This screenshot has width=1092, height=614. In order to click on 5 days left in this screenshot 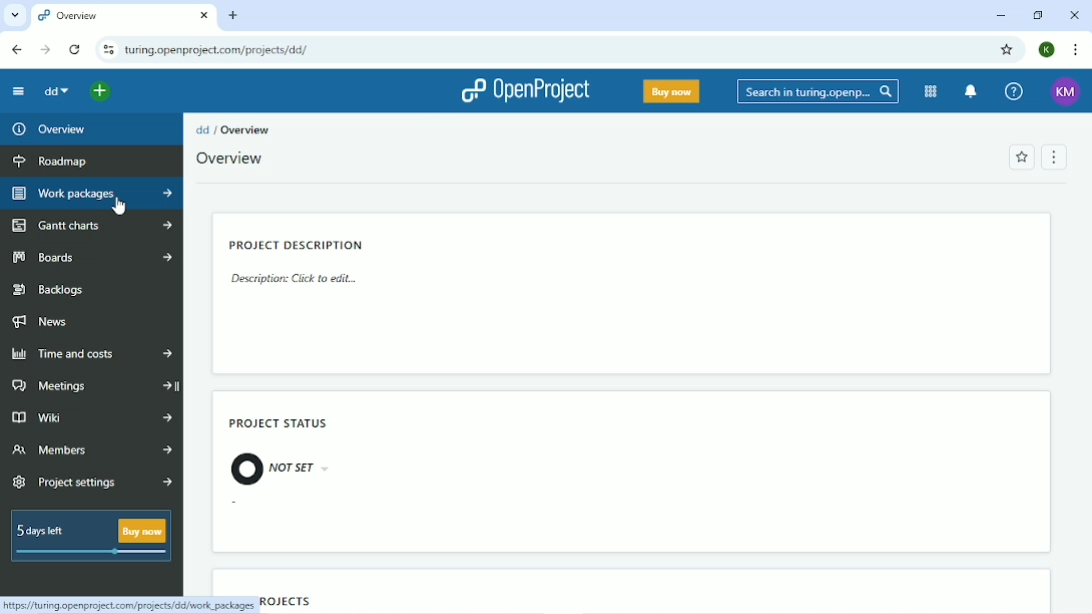, I will do `click(92, 538)`.